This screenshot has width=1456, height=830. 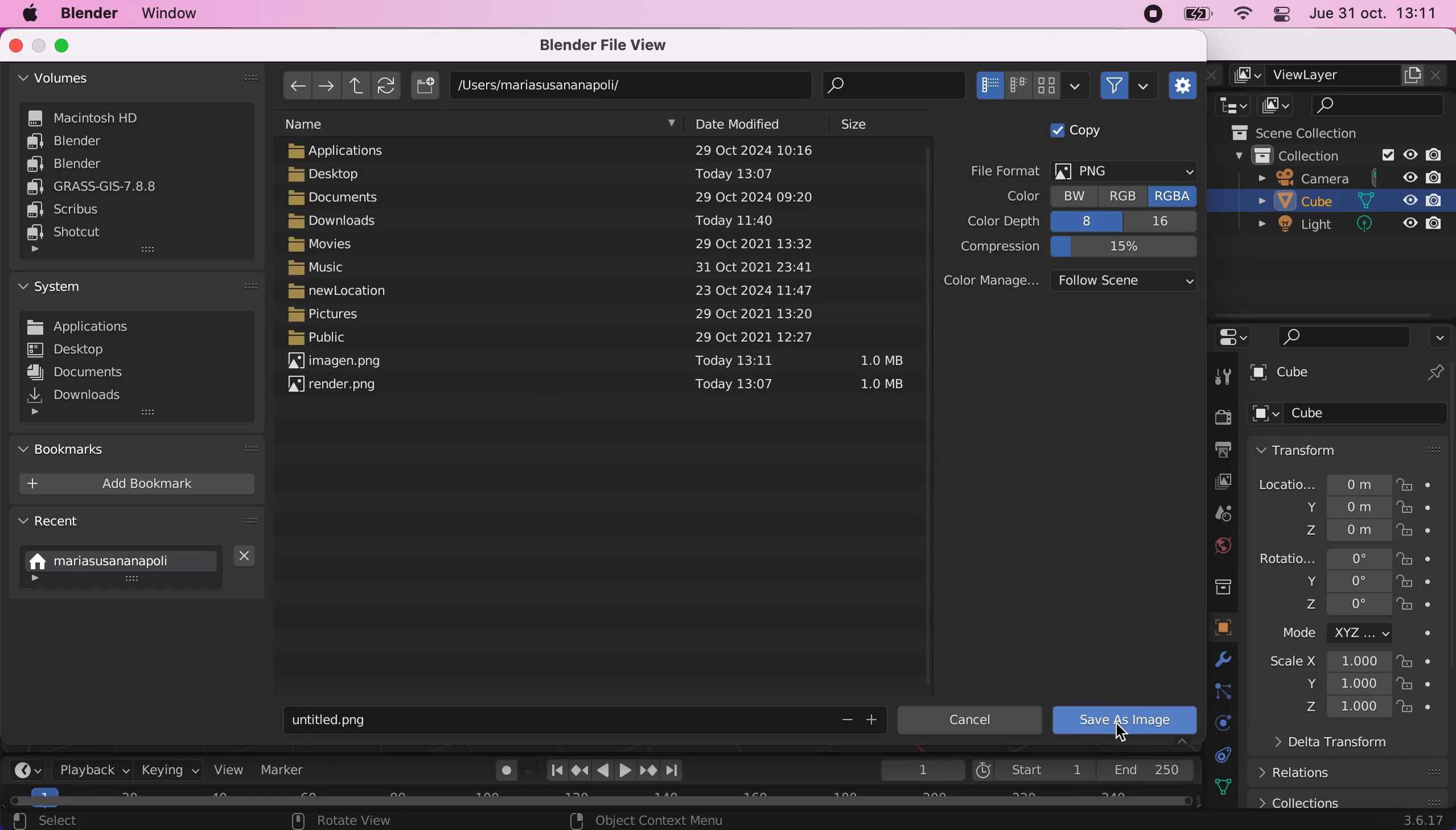 What do you see at coordinates (234, 771) in the screenshot?
I see `view` at bounding box center [234, 771].